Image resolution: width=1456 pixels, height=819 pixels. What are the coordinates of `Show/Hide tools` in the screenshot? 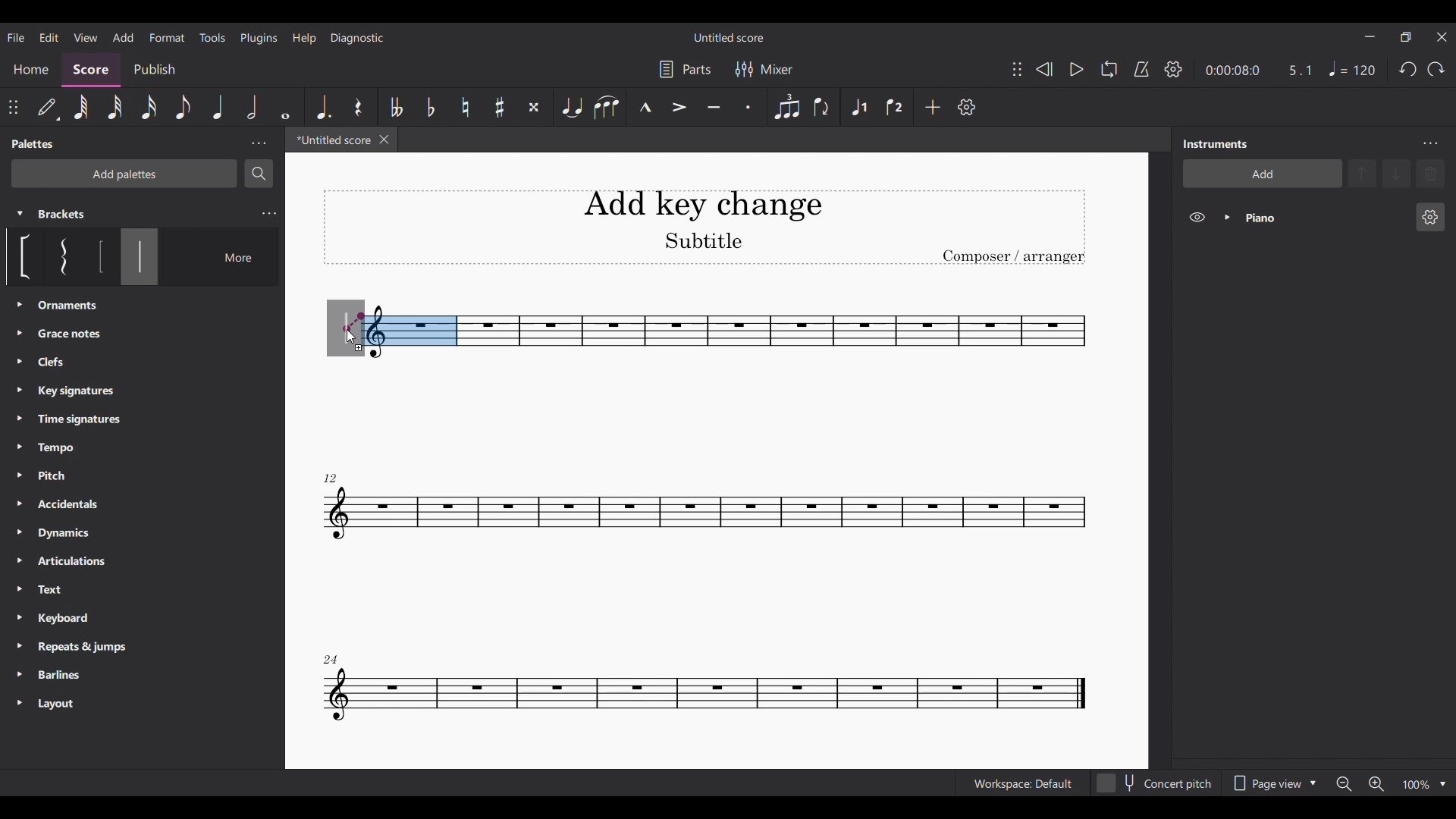 It's located at (1173, 69).